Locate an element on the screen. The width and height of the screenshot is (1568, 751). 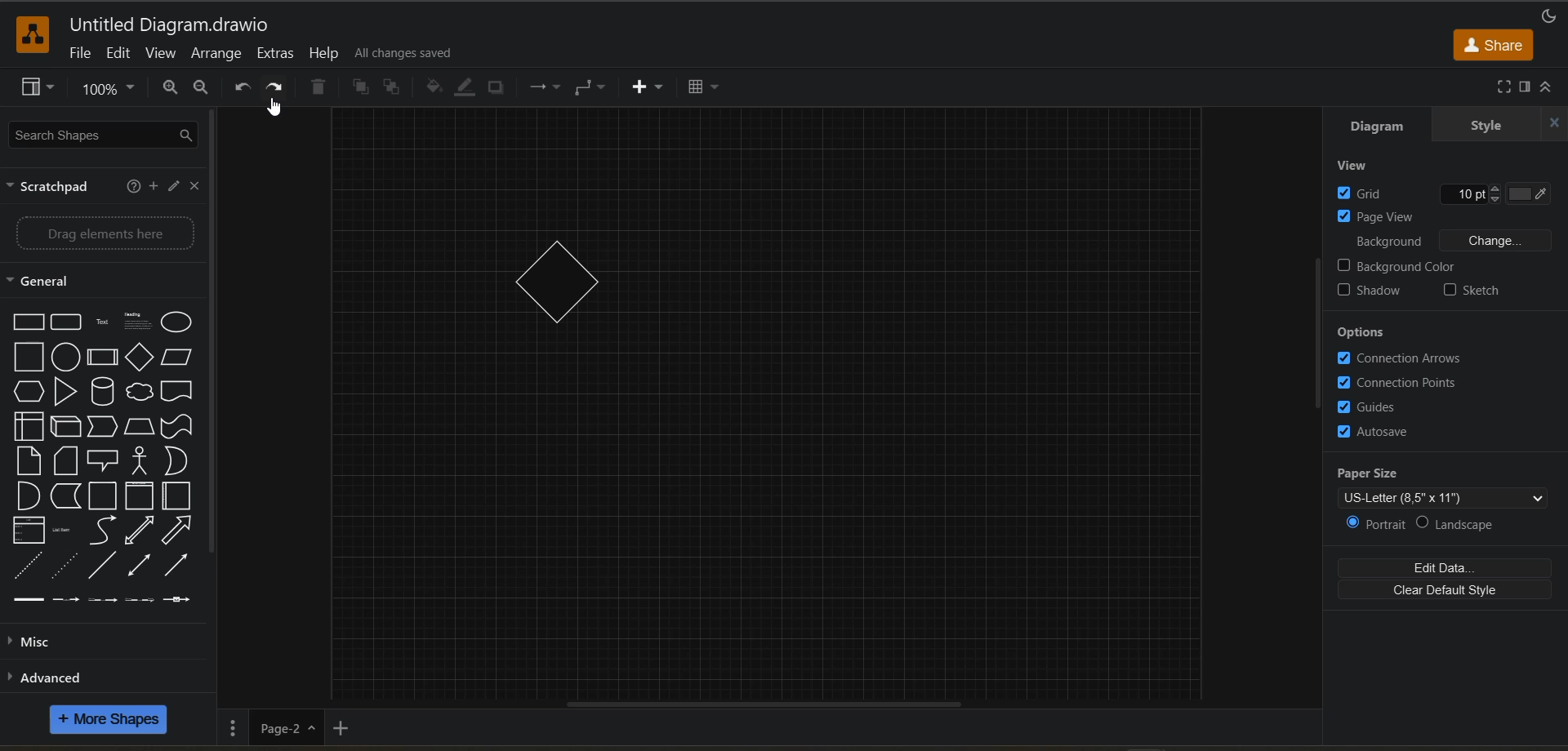
diamond is located at coordinates (140, 358).